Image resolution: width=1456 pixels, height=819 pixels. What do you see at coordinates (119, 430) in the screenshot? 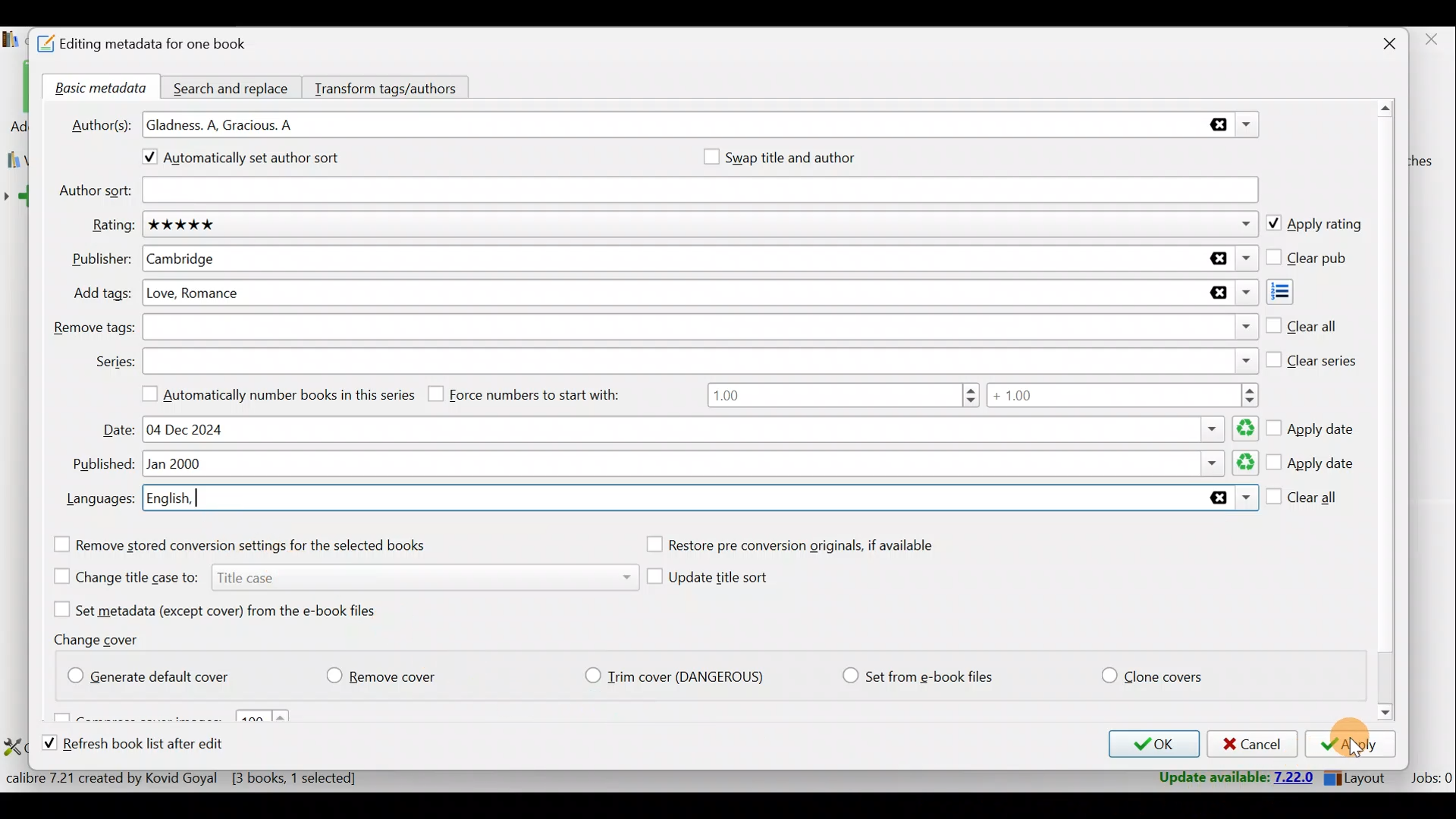
I see `Date:` at bounding box center [119, 430].